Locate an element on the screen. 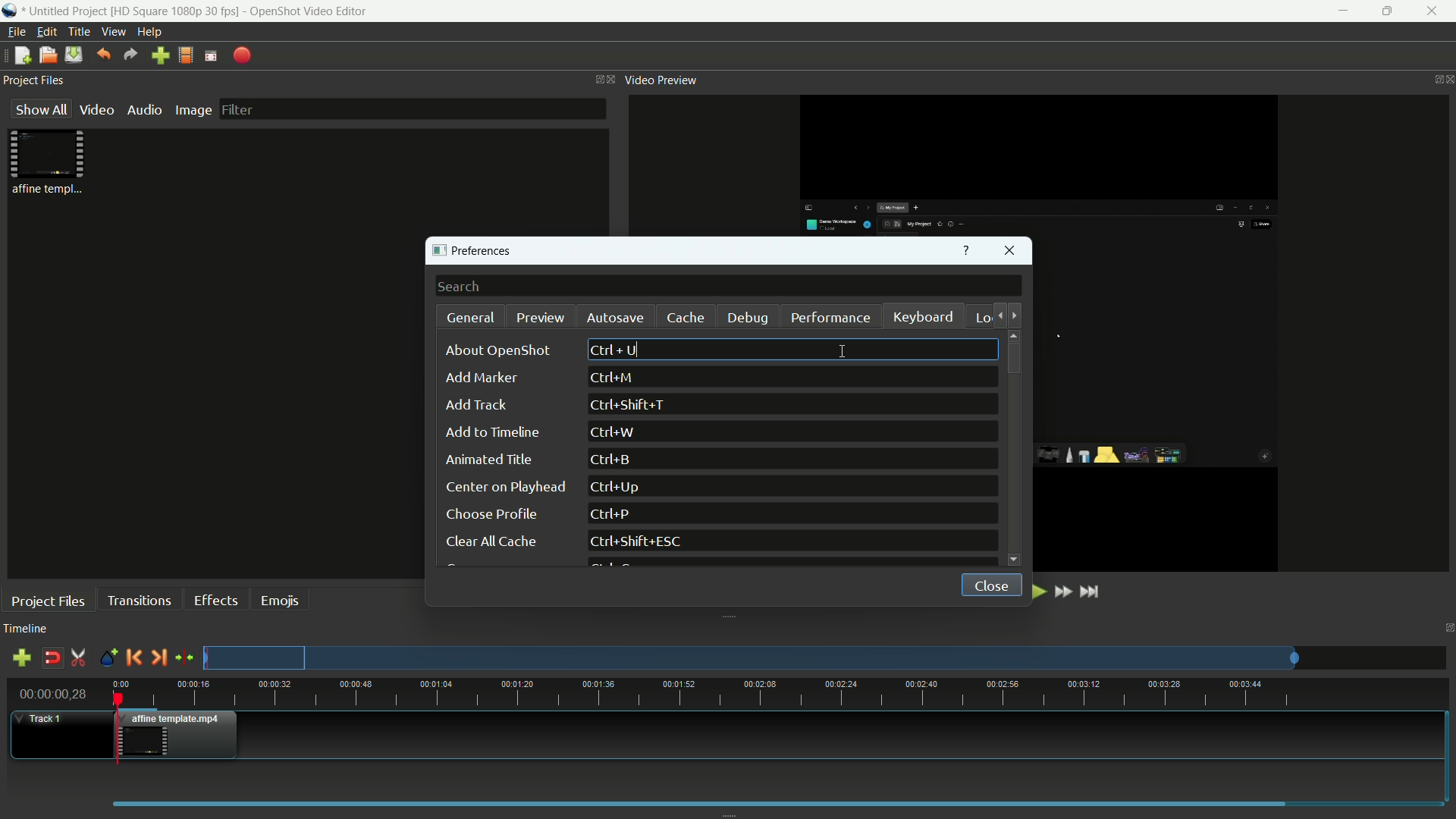 Image resolution: width=1456 pixels, height=819 pixels. about openshot is located at coordinates (502, 350).